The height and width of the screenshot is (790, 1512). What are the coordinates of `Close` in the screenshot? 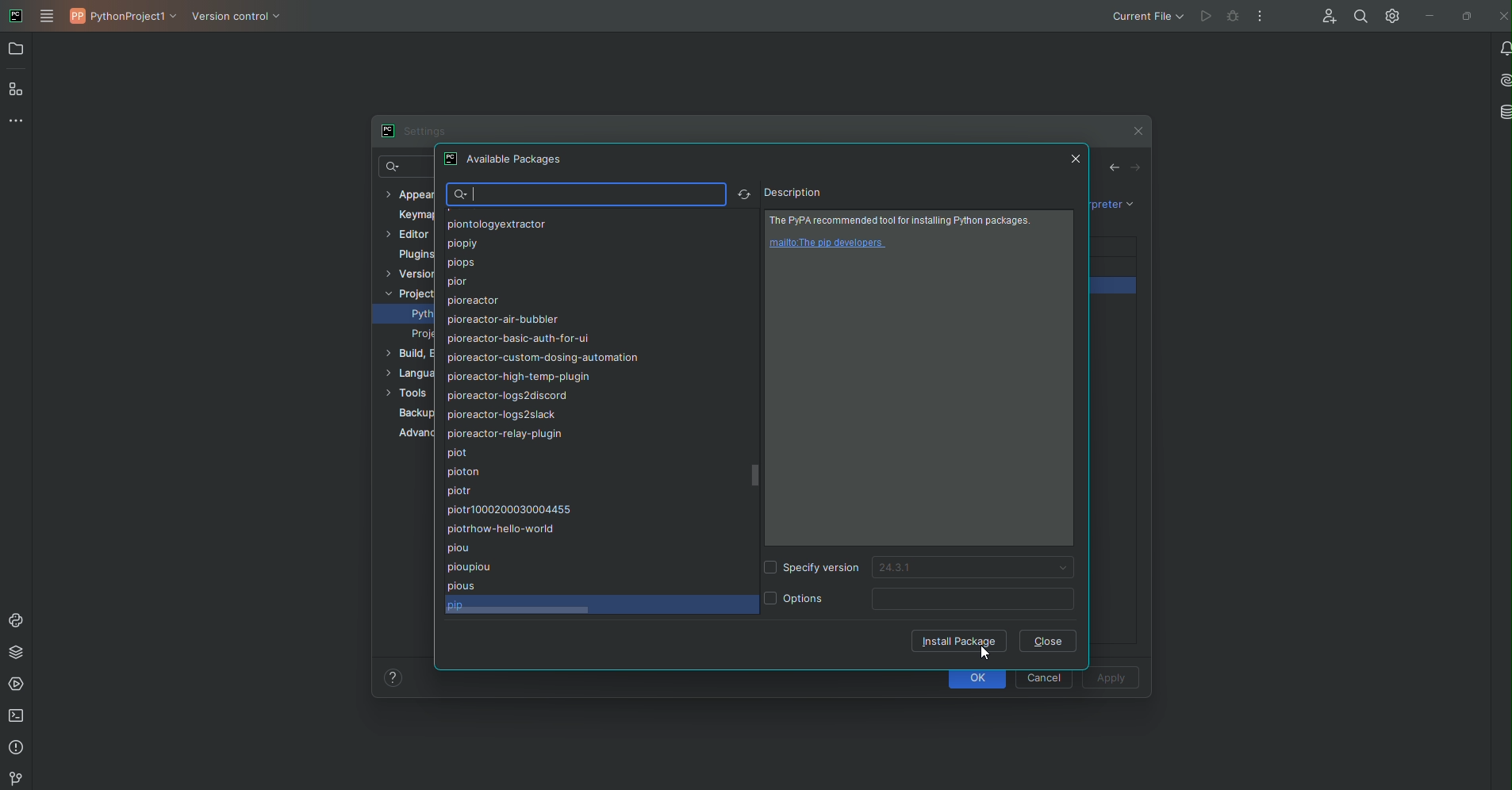 It's located at (1501, 15).